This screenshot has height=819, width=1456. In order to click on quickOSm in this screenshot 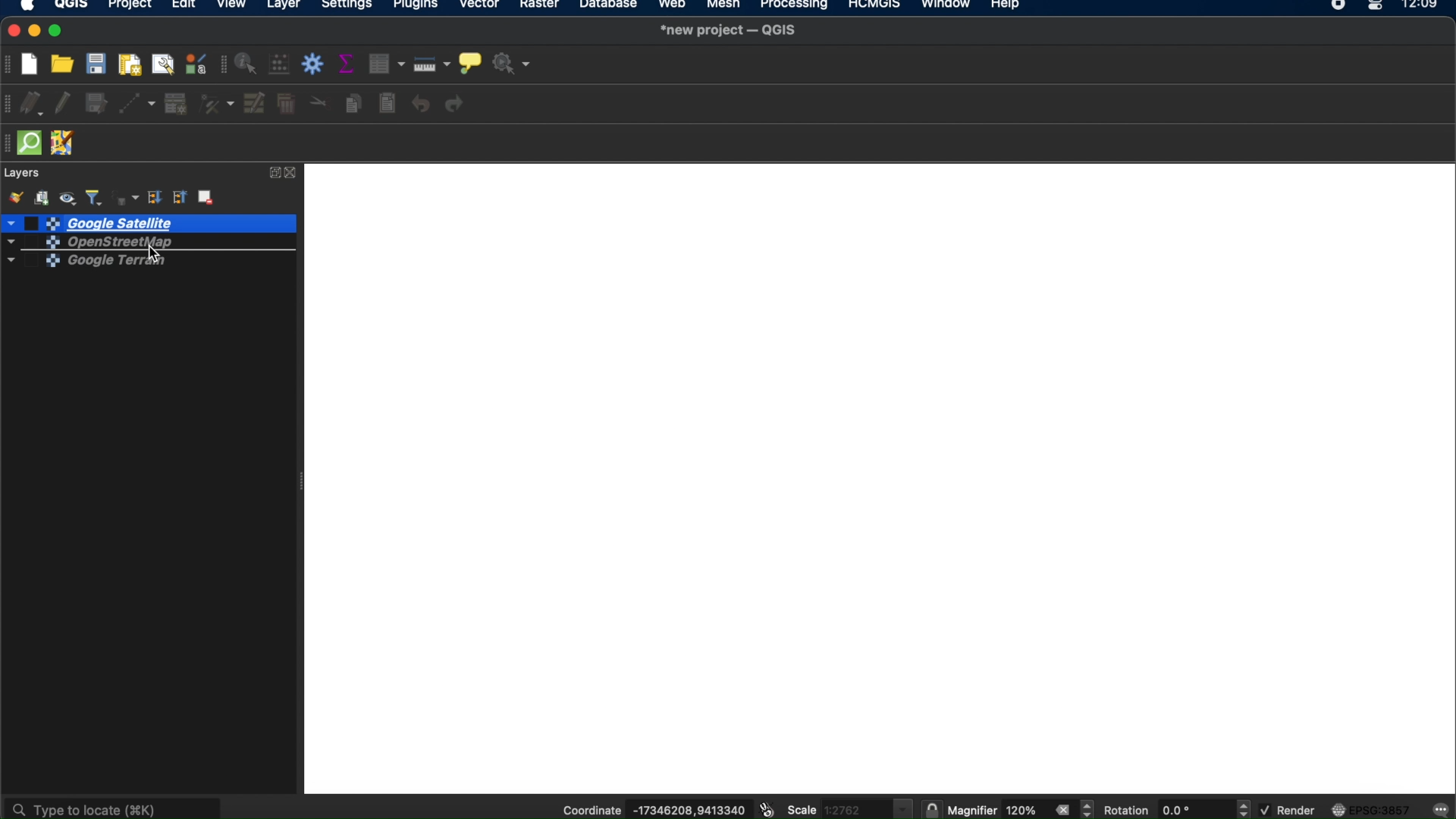, I will do `click(33, 143)`.